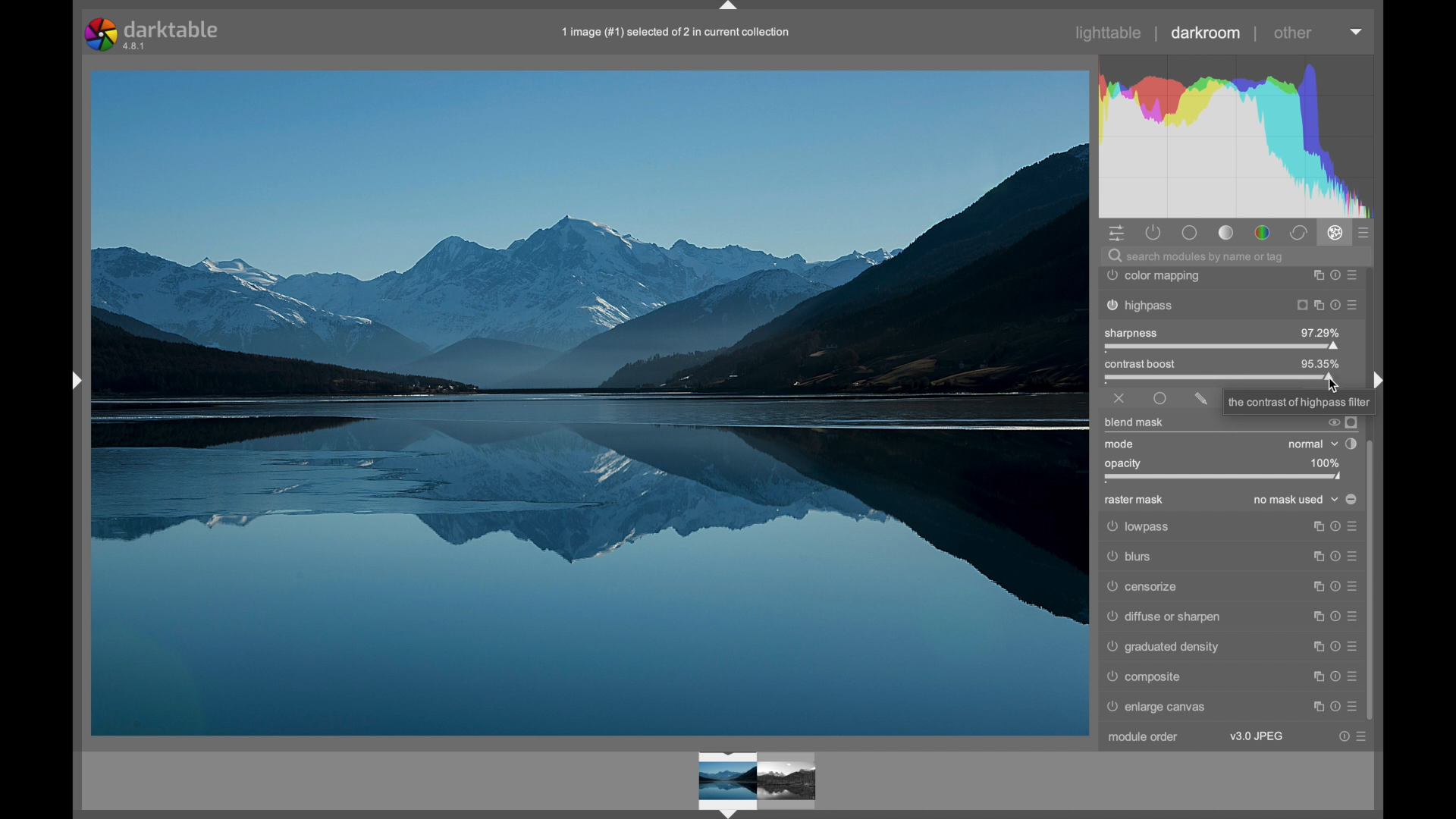 This screenshot has height=819, width=1456. I want to click on display mask, so click(1352, 422).